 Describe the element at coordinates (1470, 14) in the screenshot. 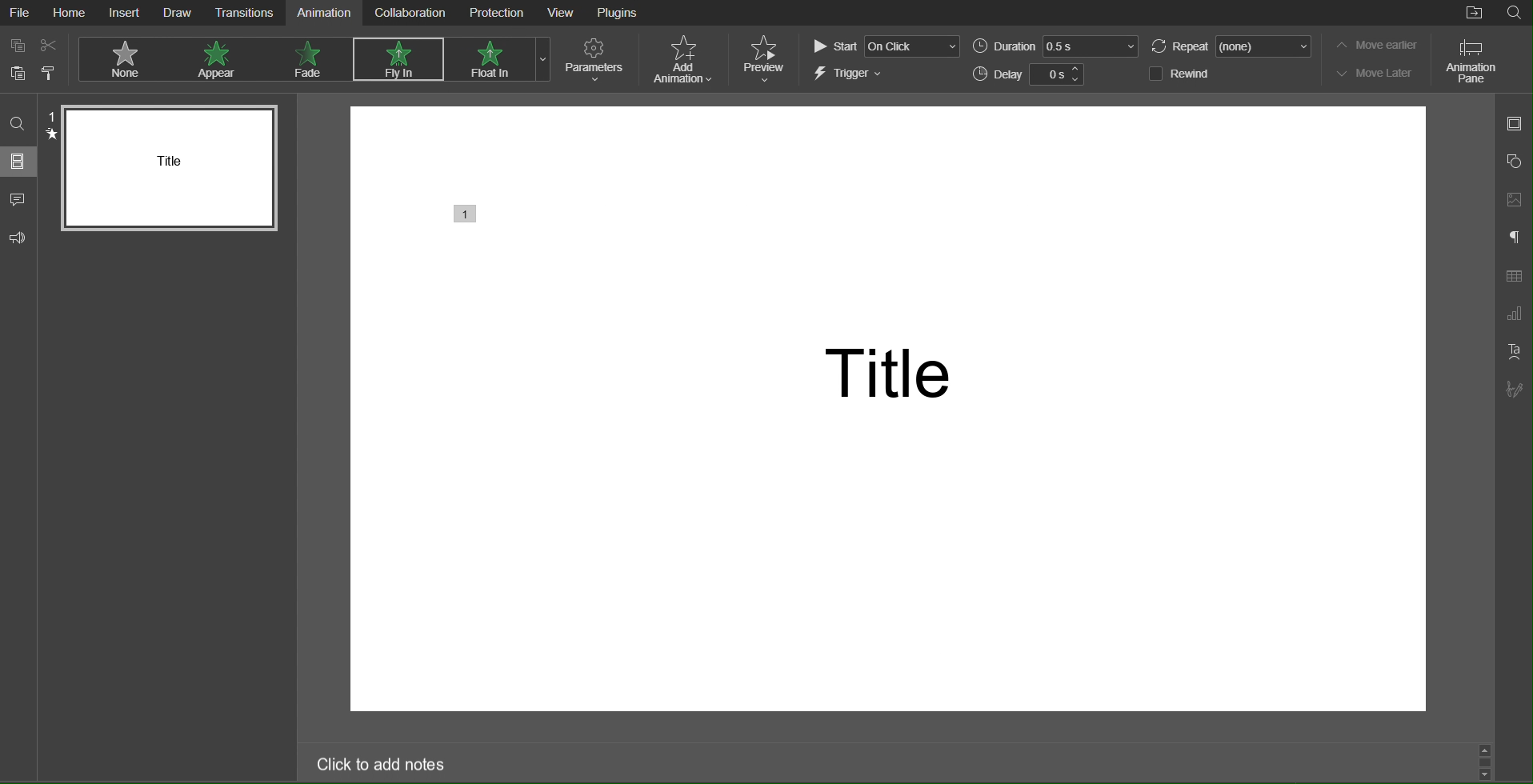

I see `Open File Location` at that location.